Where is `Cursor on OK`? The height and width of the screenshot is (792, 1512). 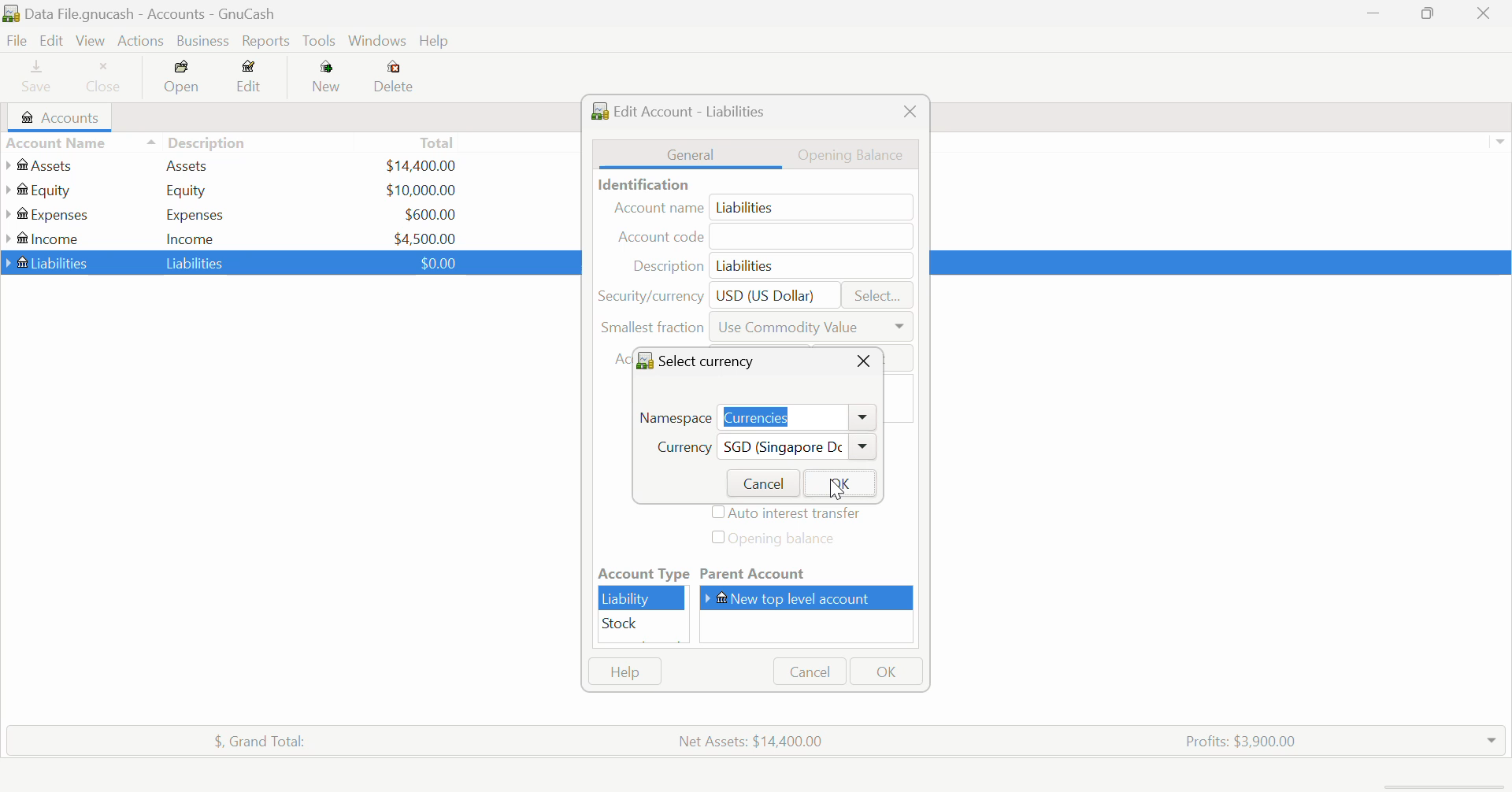
Cursor on OK is located at coordinates (833, 487).